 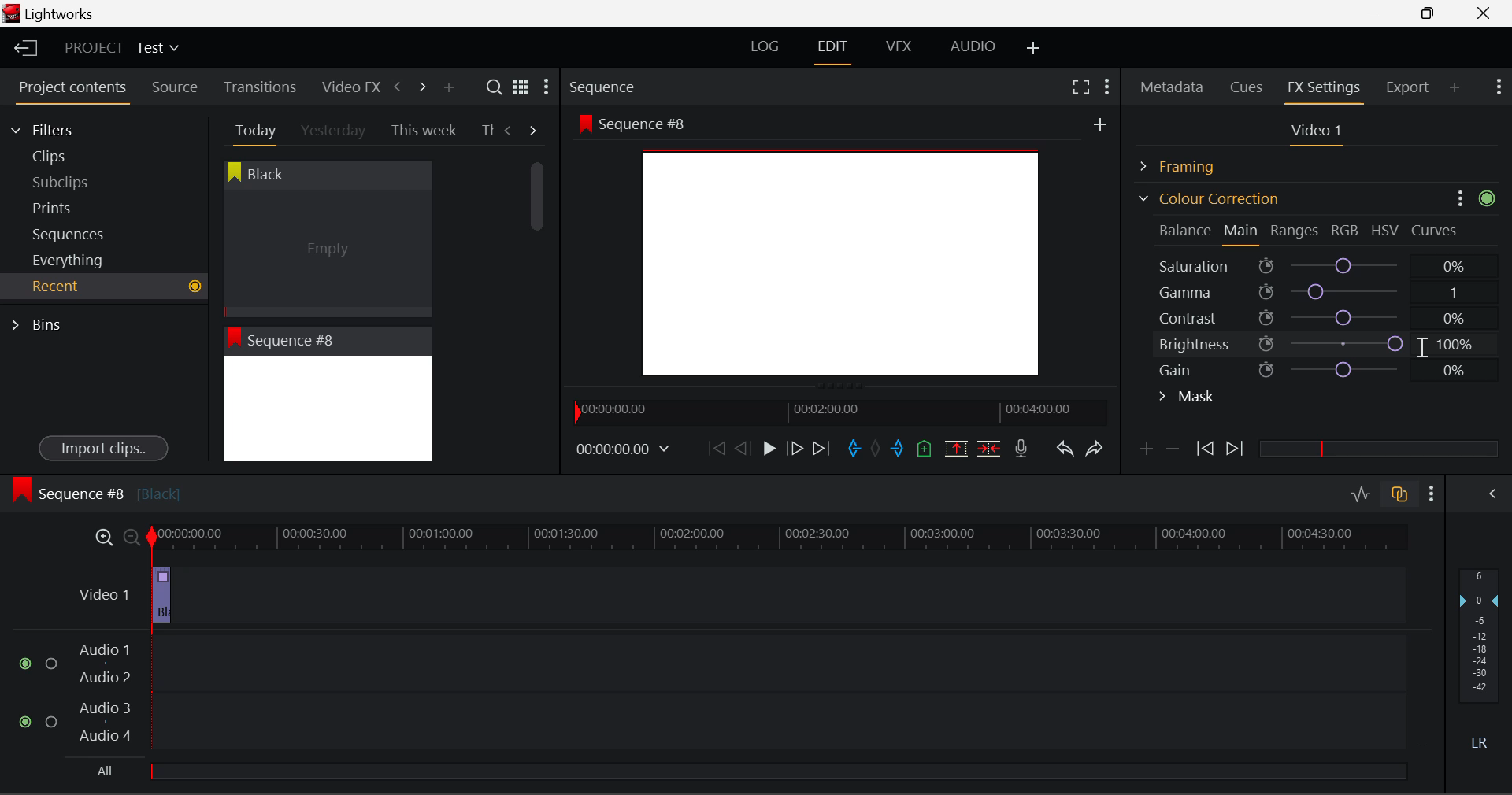 I want to click on Clip 2 Deleted, so click(x=728, y=596).